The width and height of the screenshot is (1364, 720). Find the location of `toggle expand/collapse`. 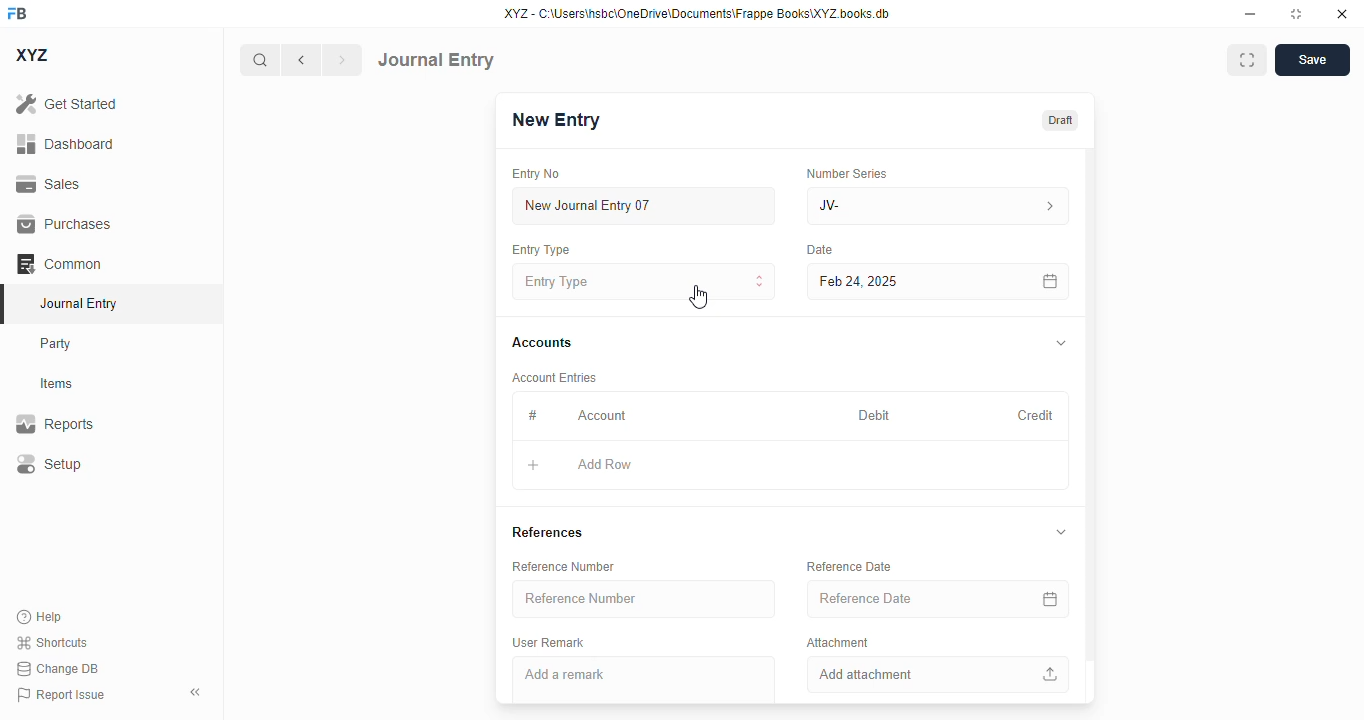

toggle expand/collapse is located at coordinates (1063, 532).